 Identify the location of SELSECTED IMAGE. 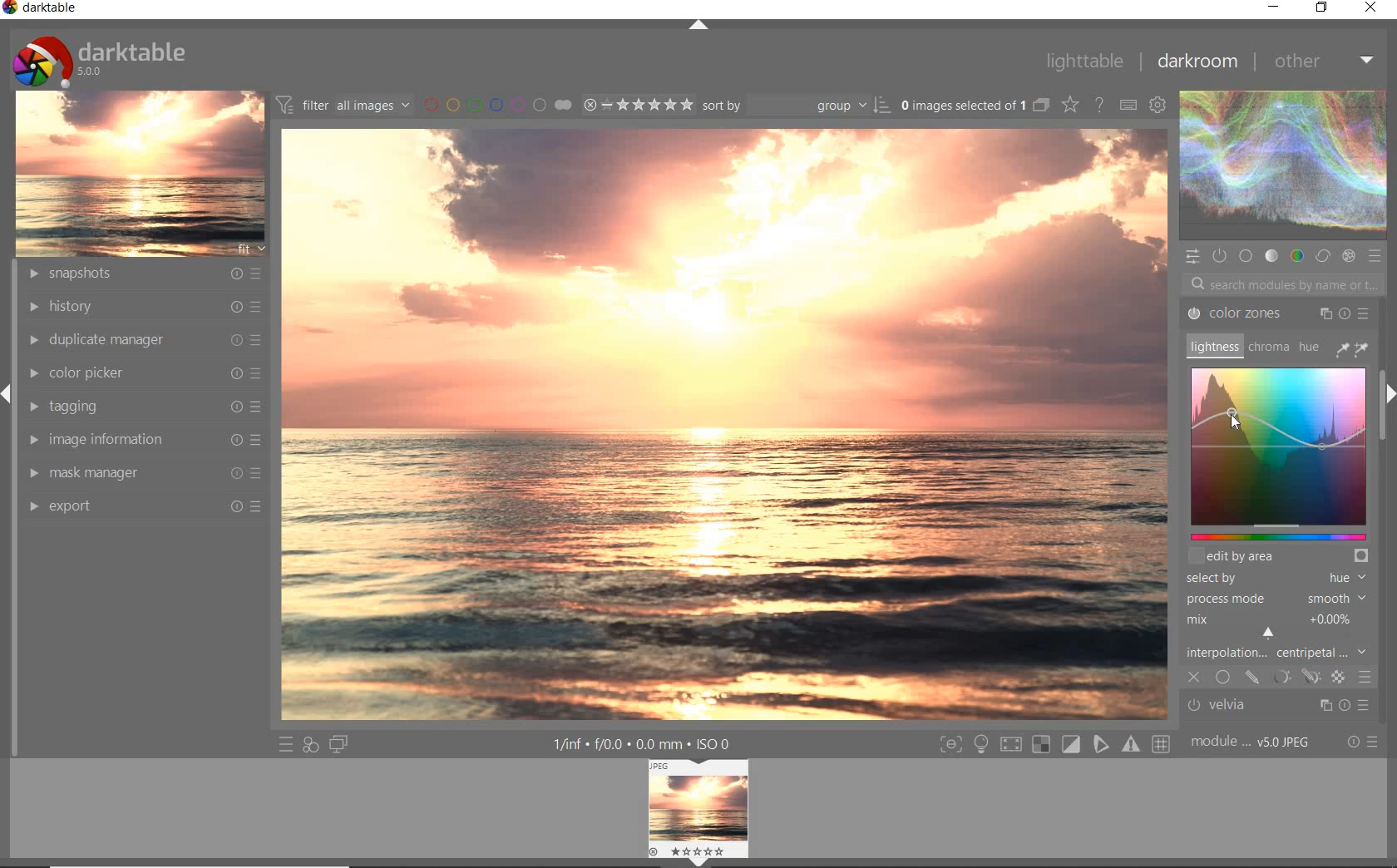
(960, 105).